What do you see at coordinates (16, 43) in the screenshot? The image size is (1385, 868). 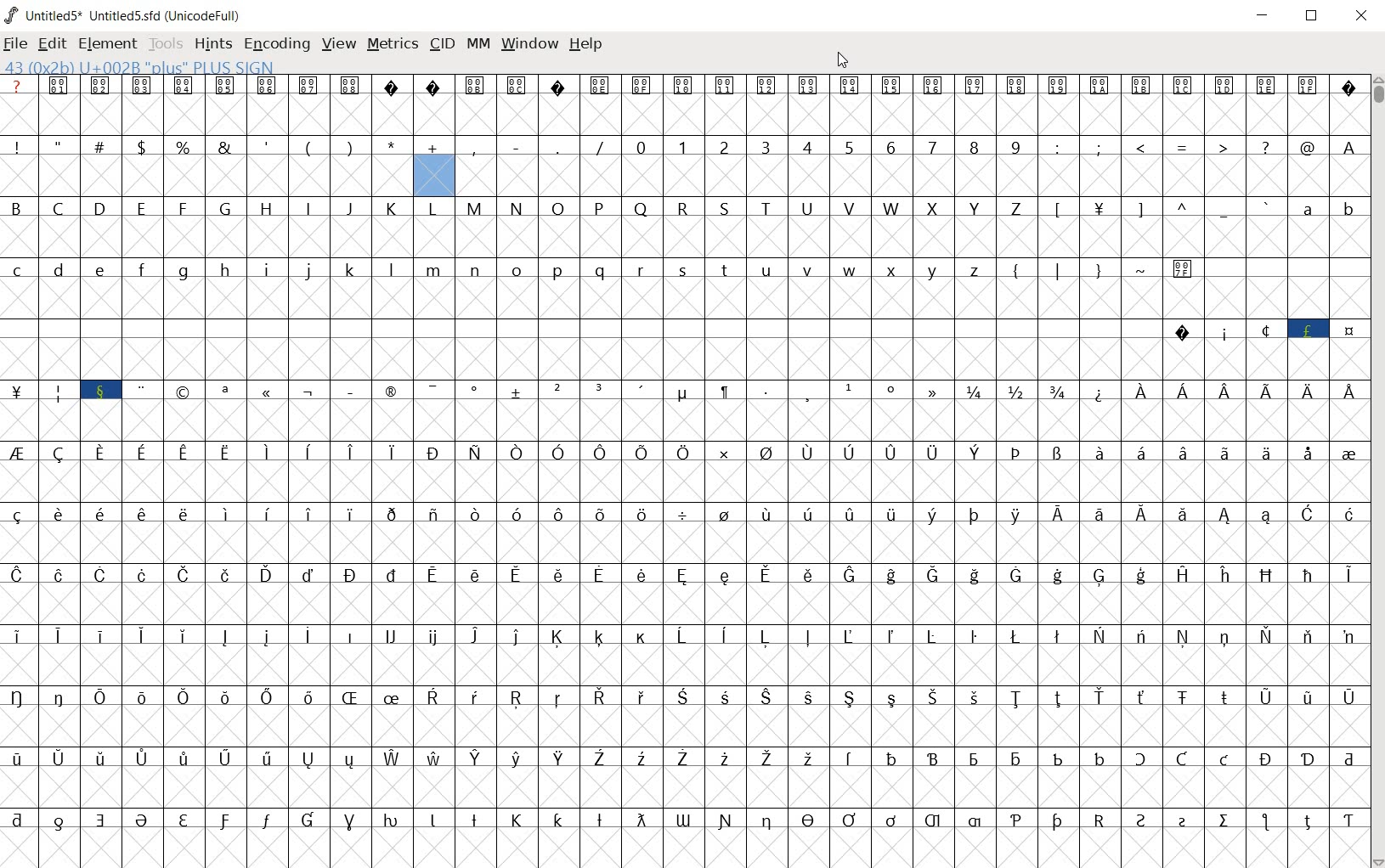 I see `file` at bounding box center [16, 43].